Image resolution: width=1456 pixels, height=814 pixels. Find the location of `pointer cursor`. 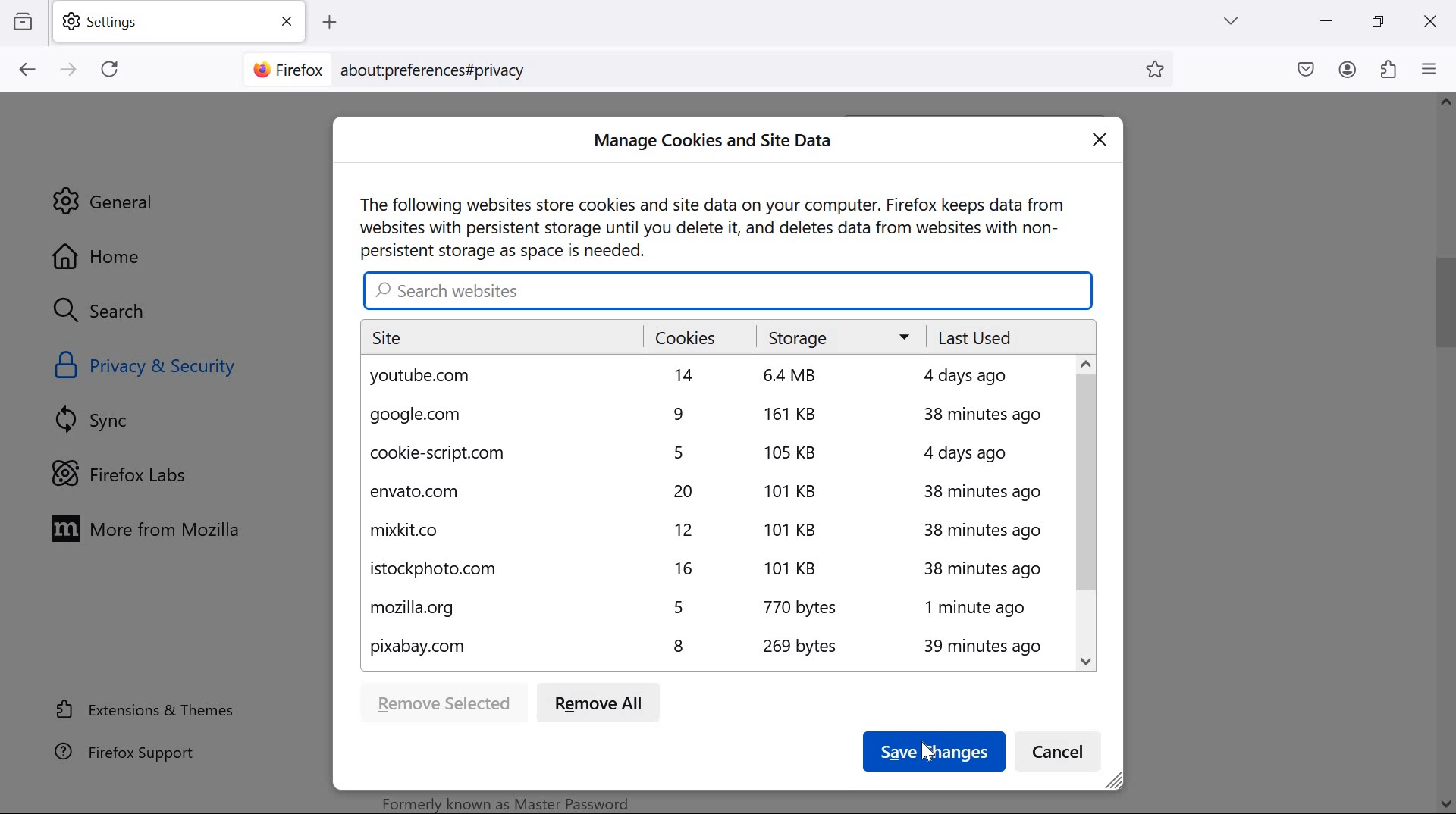

pointer cursor is located at coordinates (926, 748).